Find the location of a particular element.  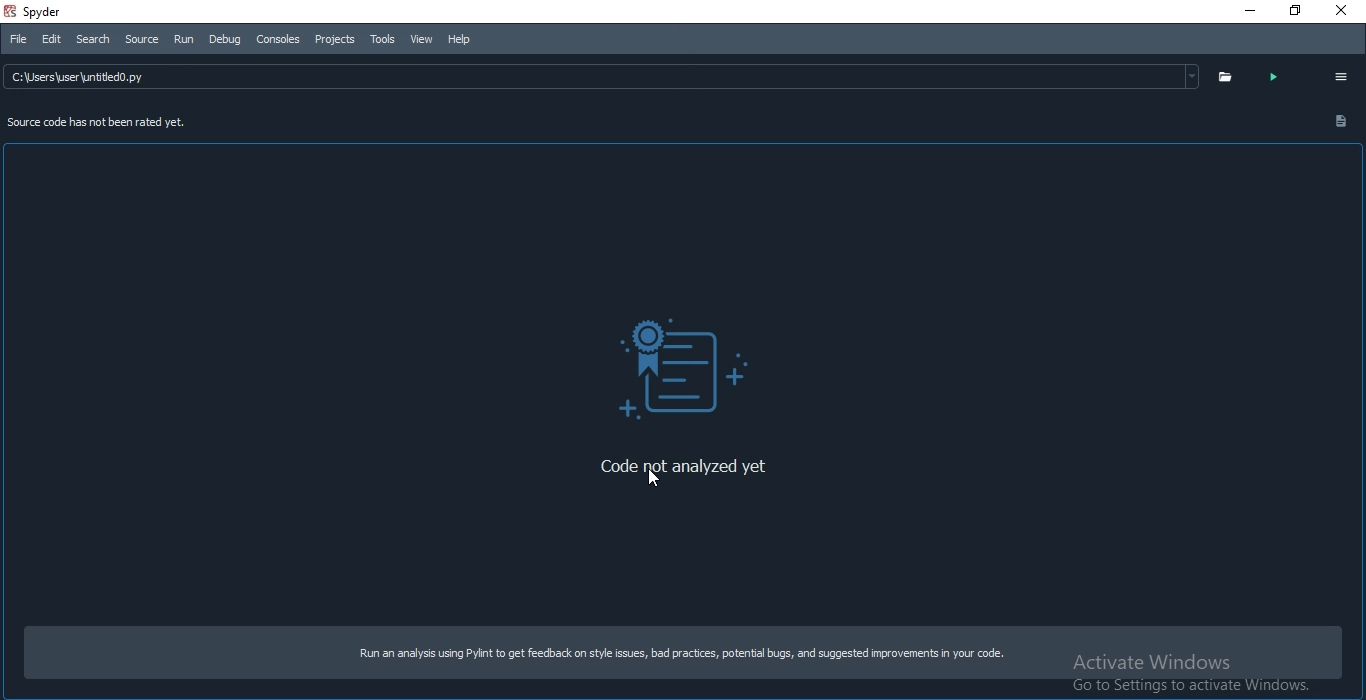

view is located at coordinates (421, 39).